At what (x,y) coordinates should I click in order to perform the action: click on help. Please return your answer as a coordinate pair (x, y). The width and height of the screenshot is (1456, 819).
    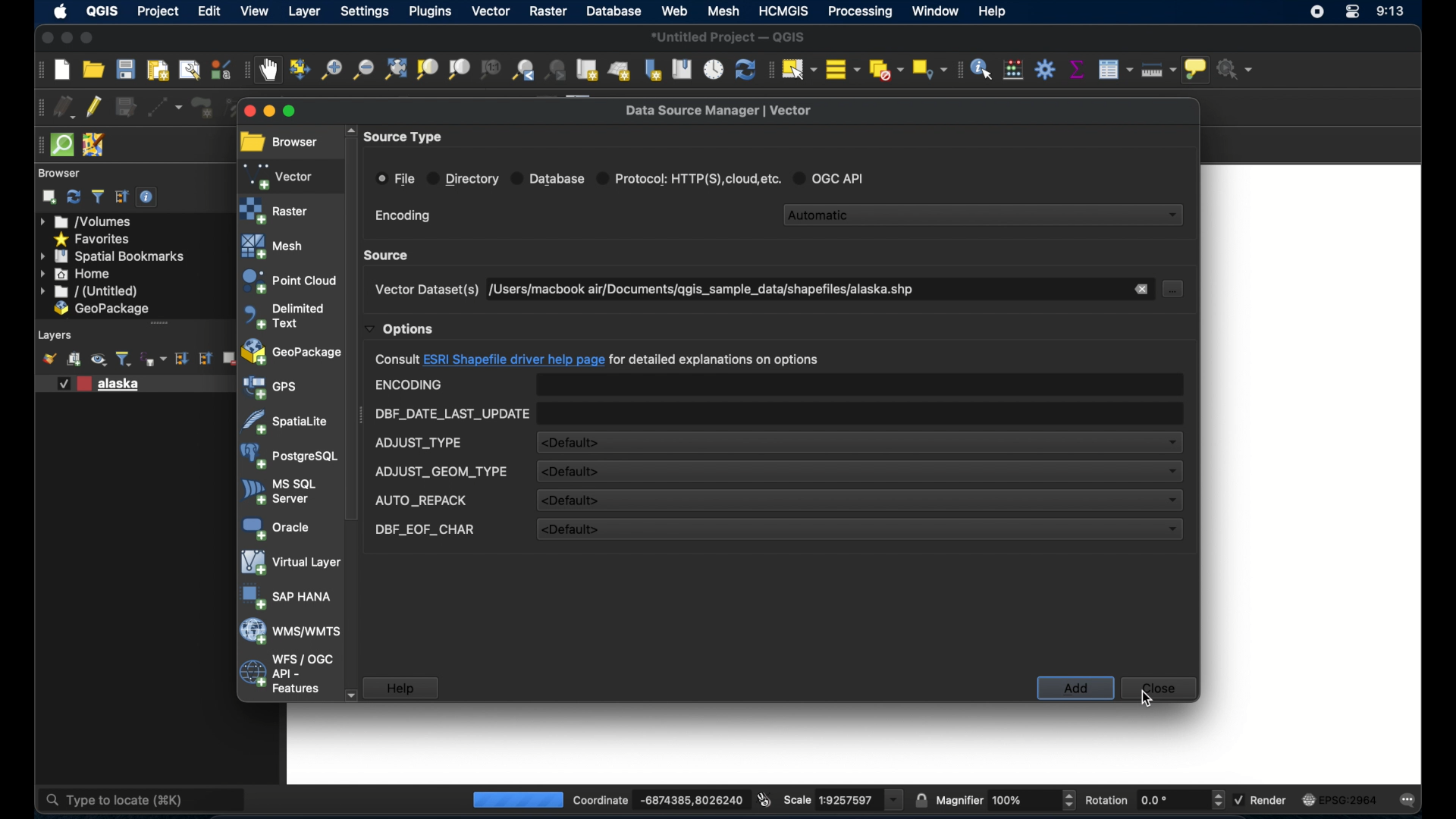
    Looking at the image, I should click on (401, 688).